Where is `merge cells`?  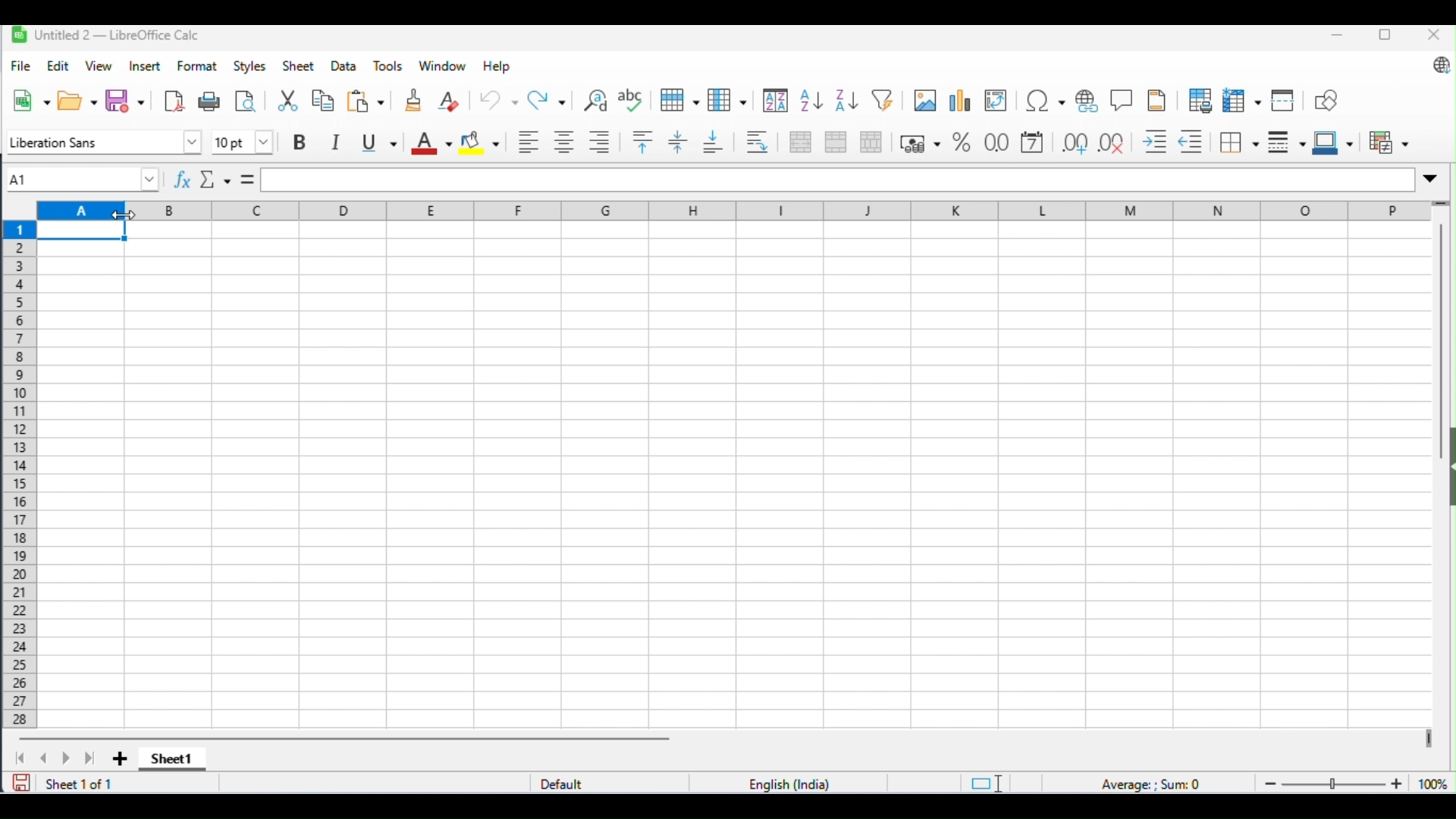
merge cells is located at coordinates (836, 140).